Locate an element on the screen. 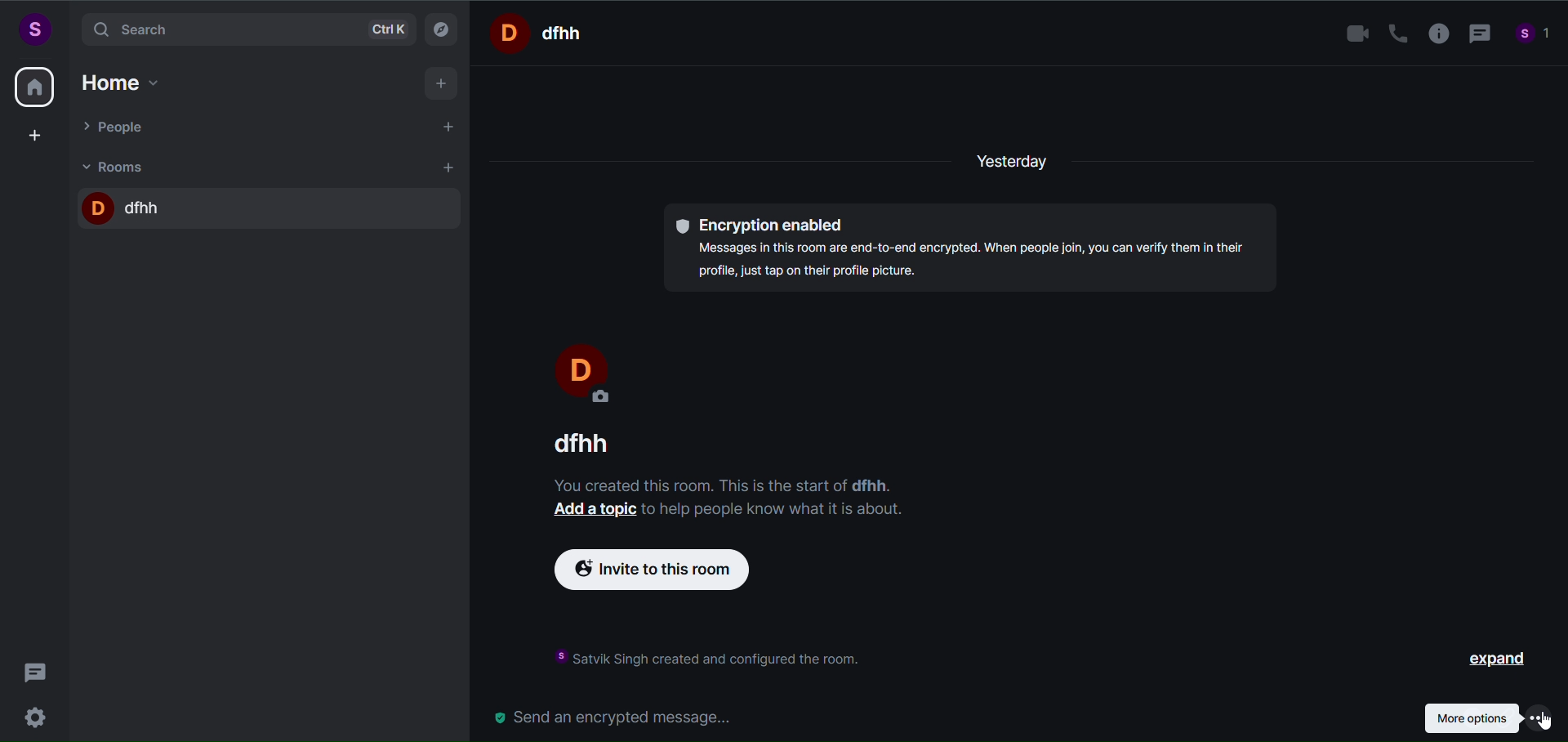 Image resolution: width=1568 pixels, height=742 pixels. send an encrypted message is located at coordinates (621, 717).